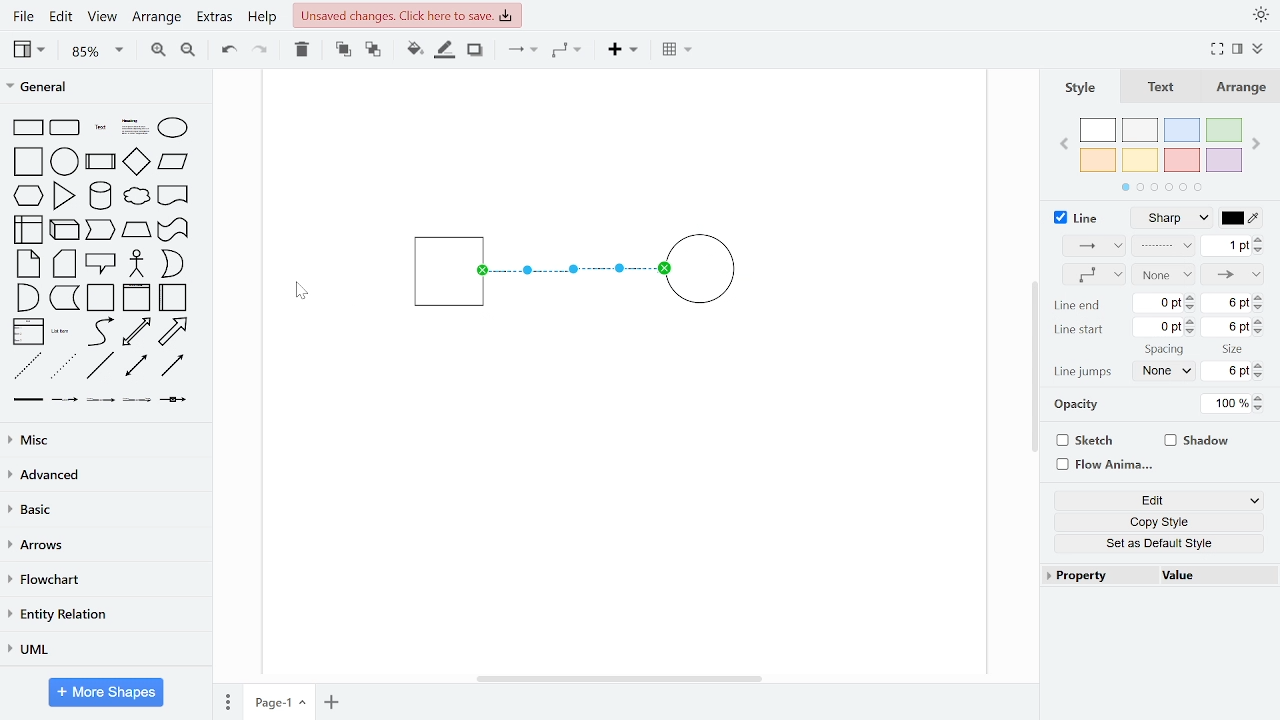 The width and height of the screenshot is (1280, 720). I want to click on text box, so click(136, 129).